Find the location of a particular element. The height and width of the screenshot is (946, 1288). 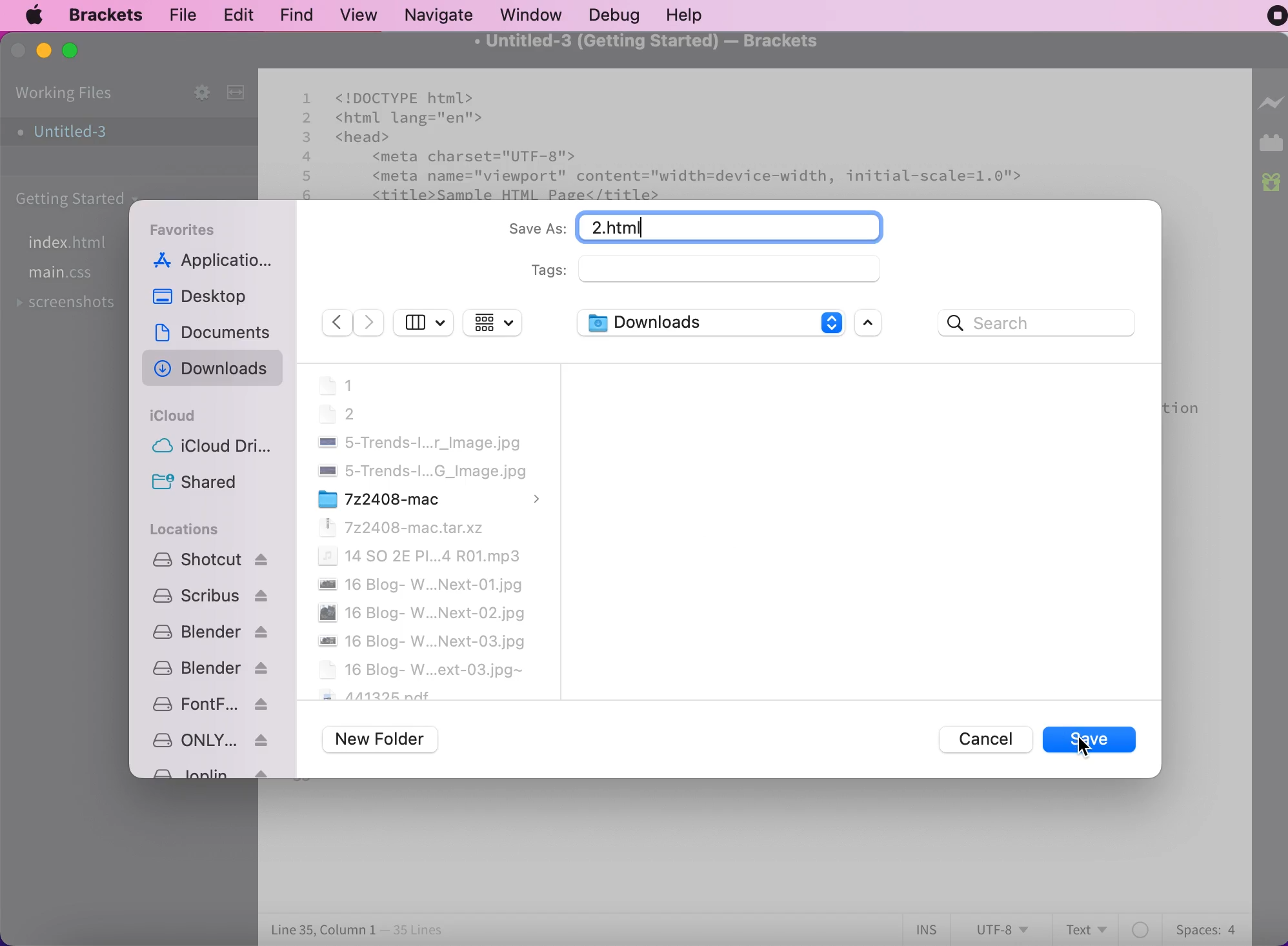

16 Blog-W...Next-02.jpg is located at coordinates (421, 612).